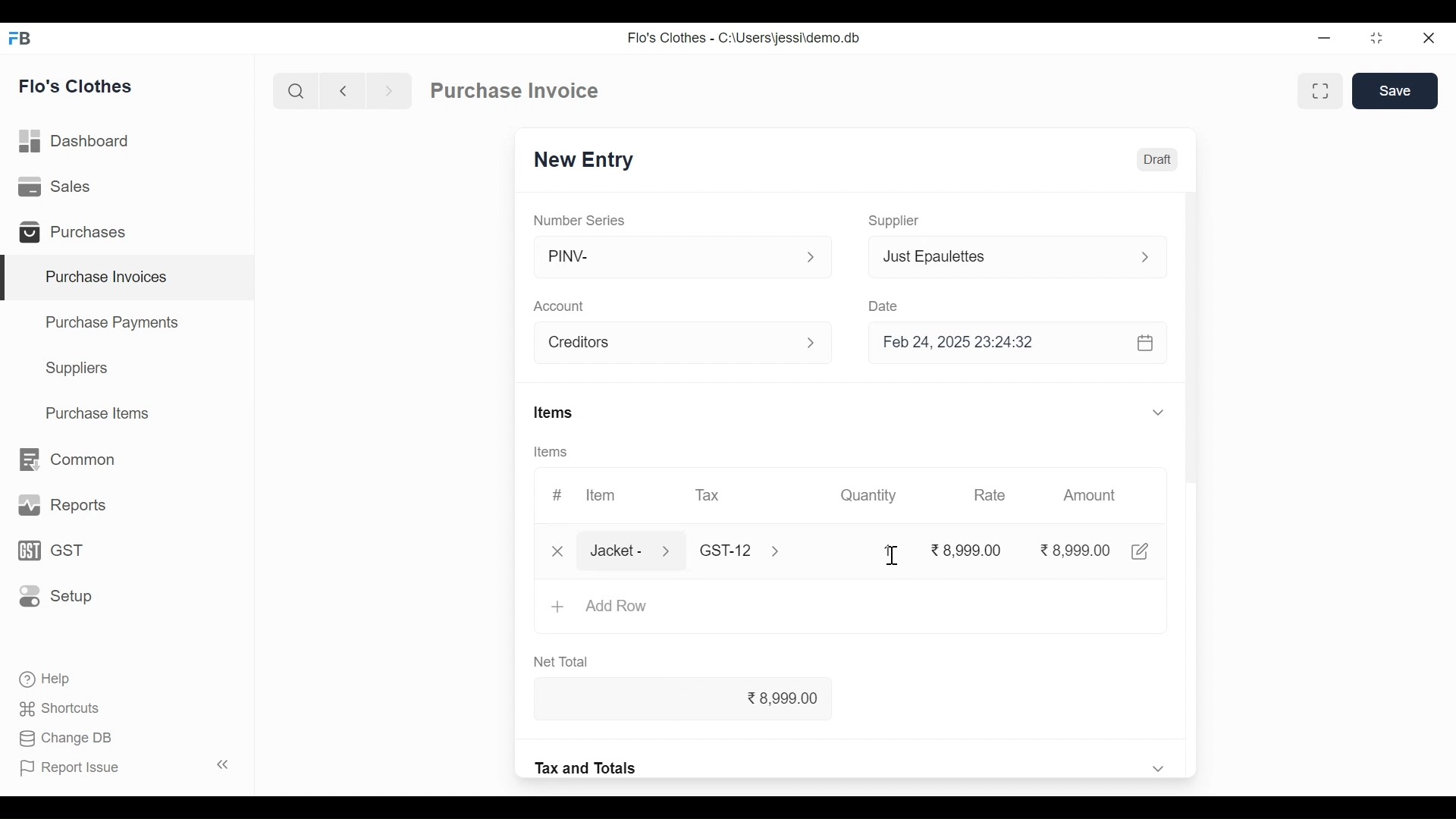 The width and height of the screenshot is (1456, 819). I want to click on New Entry, so click(585, 160).